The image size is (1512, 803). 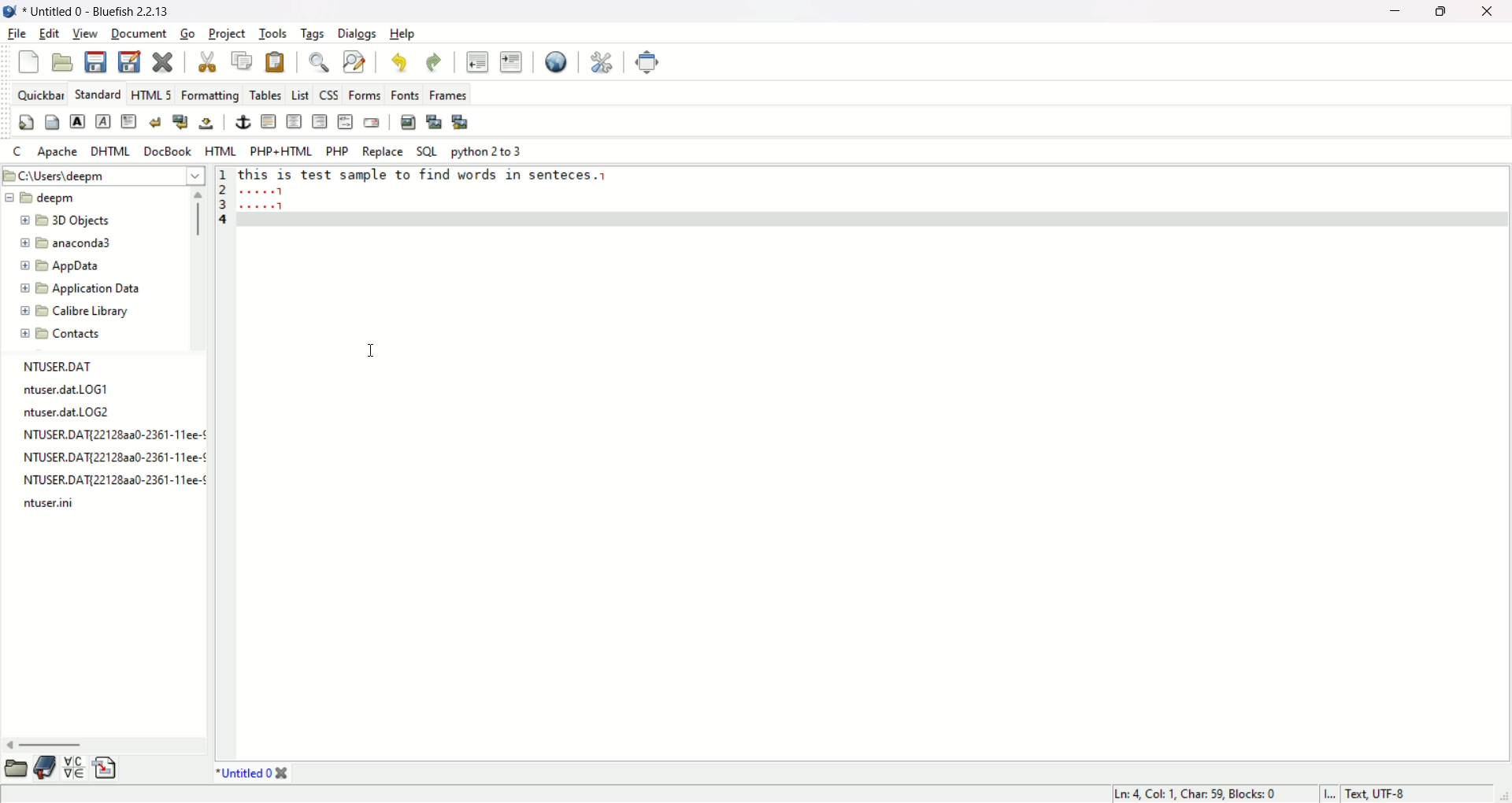 I want to click on break and clear, so click(x=180, y=122).